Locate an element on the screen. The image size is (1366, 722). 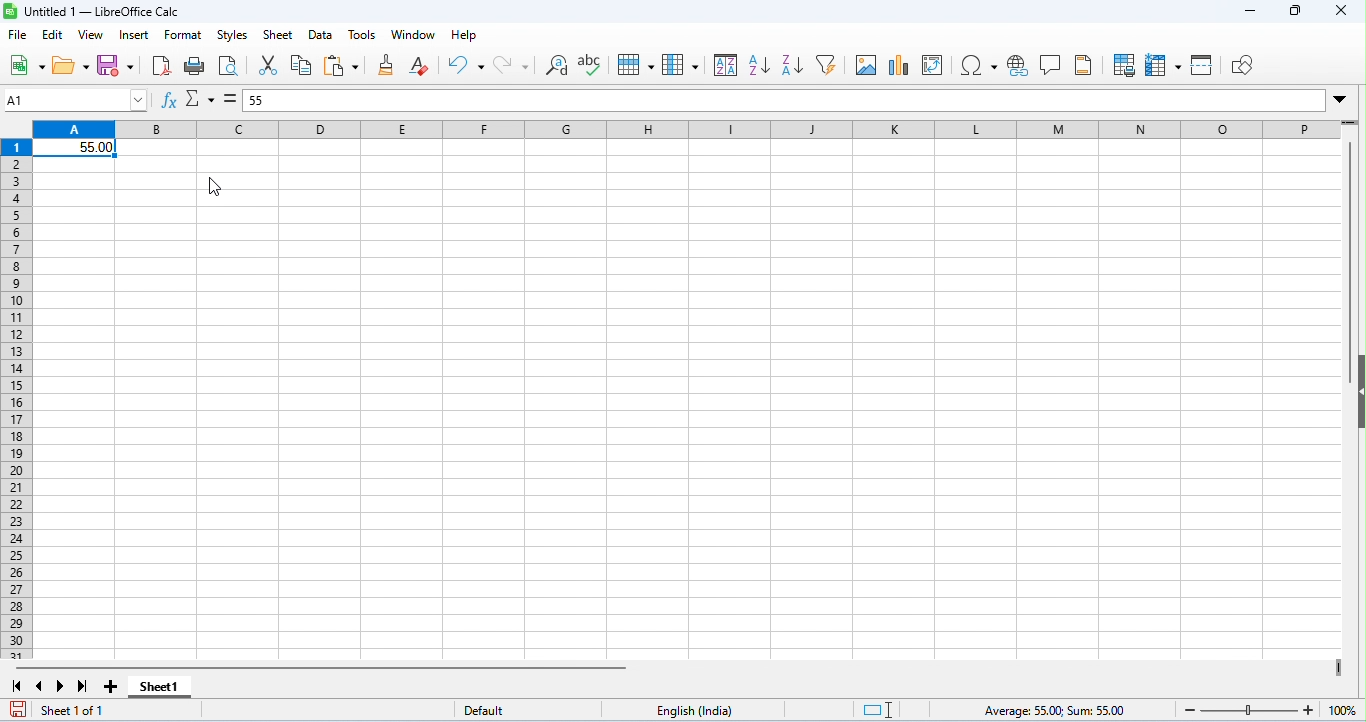
formula is located at coordinates (1053, 709).